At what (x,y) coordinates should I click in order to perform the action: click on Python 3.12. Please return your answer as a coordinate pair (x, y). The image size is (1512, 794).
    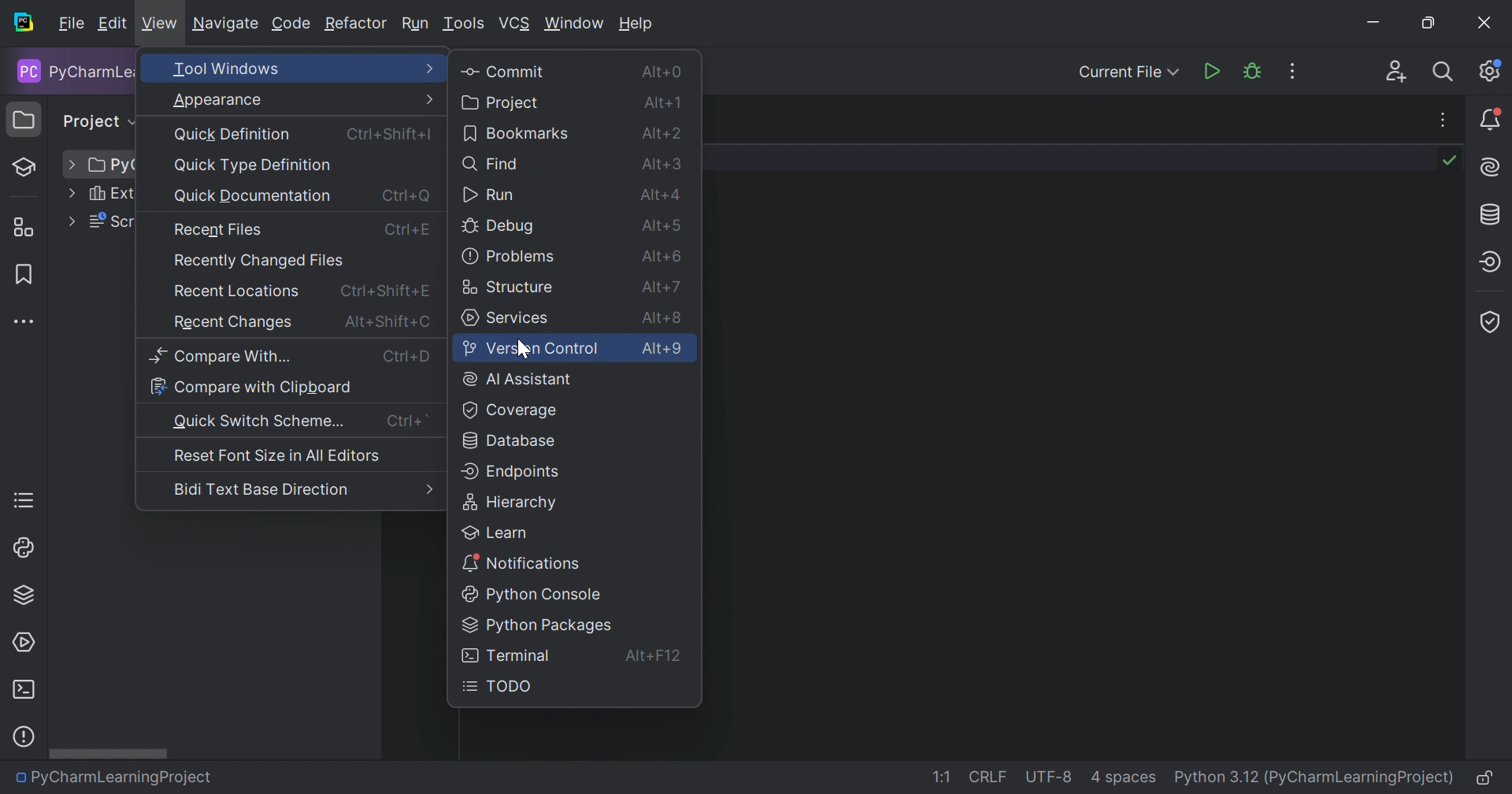
    Looking at the image, I should click on (1214, 778).